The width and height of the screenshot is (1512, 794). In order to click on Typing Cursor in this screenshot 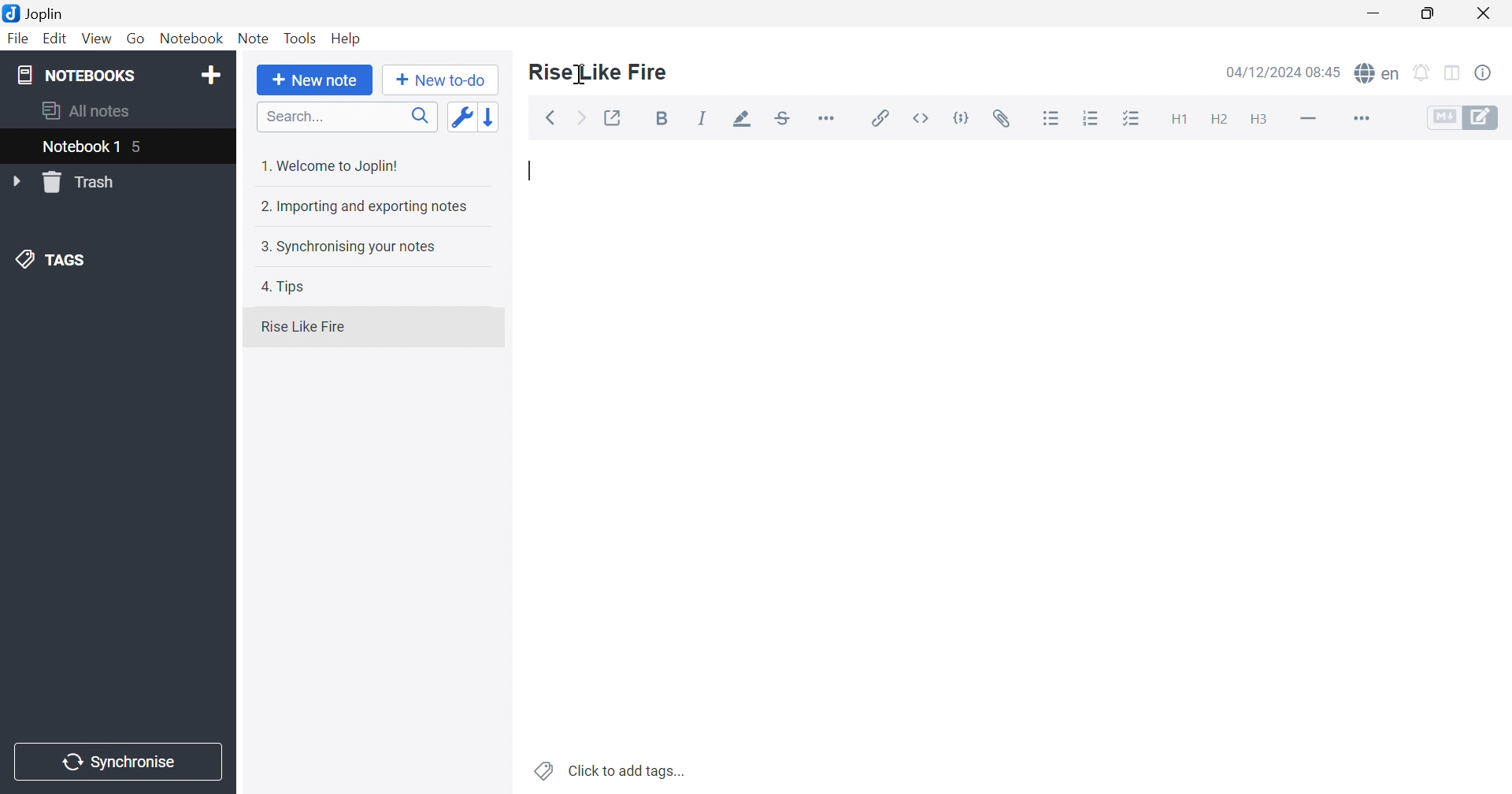, I will do `click(530, 171)`.